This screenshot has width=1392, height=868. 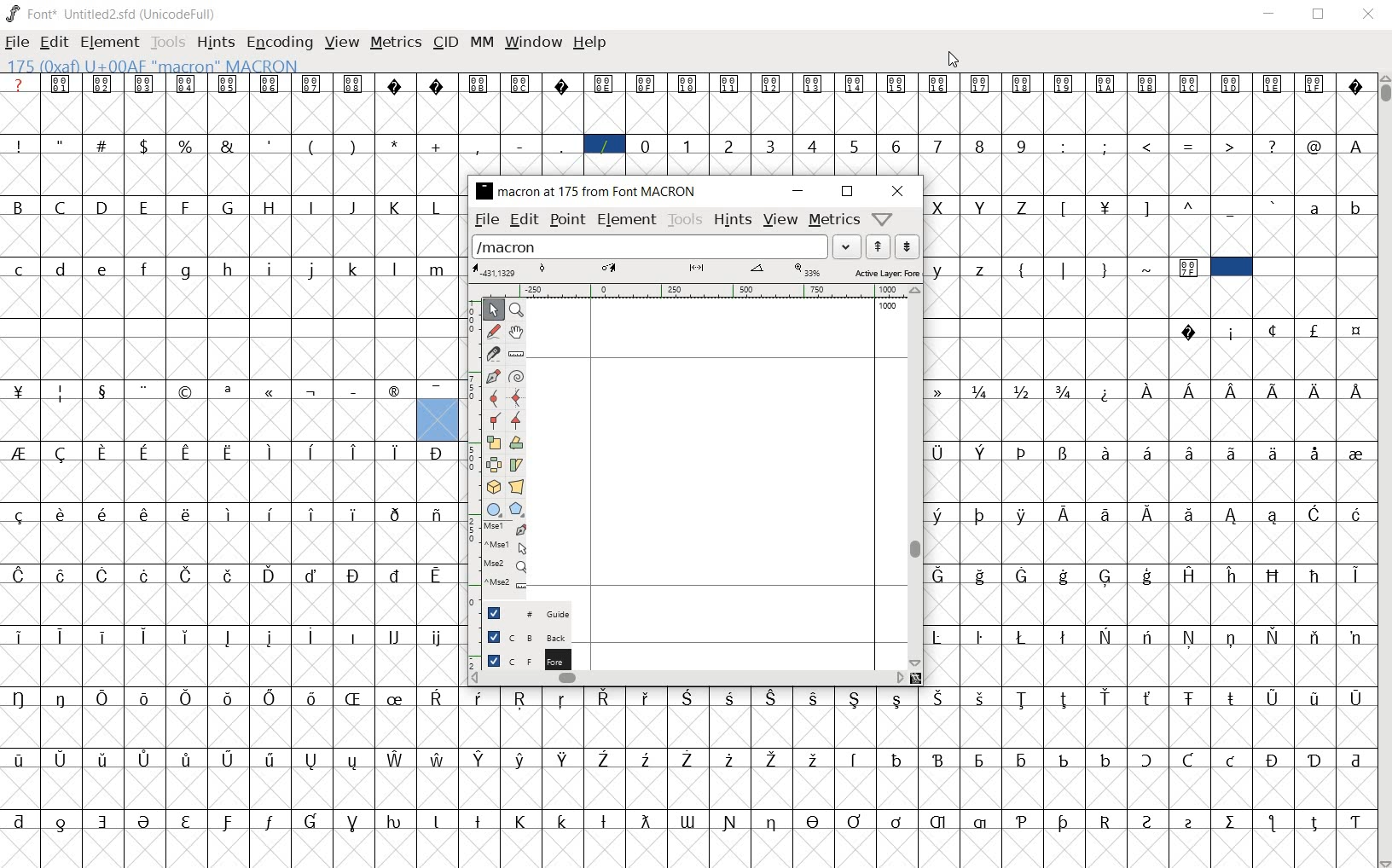 I want to click on h, so click(x=229, y=268).